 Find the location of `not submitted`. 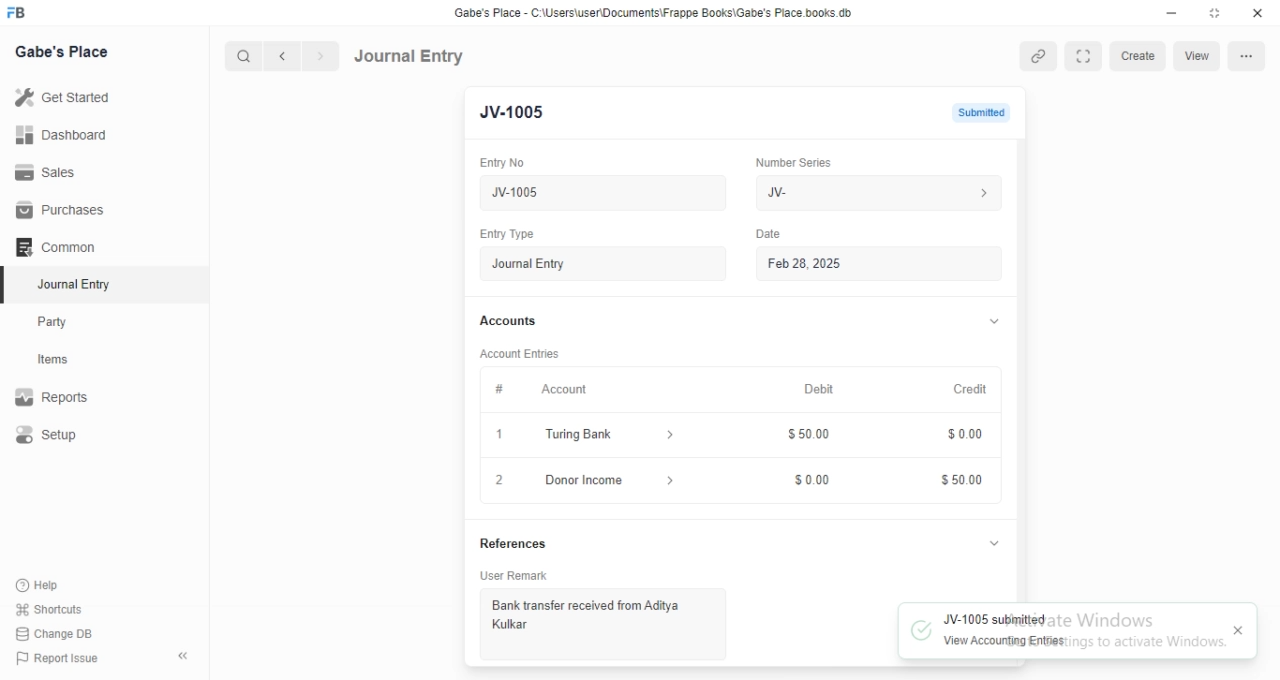

not submitted is located at coordinates (970, 113).